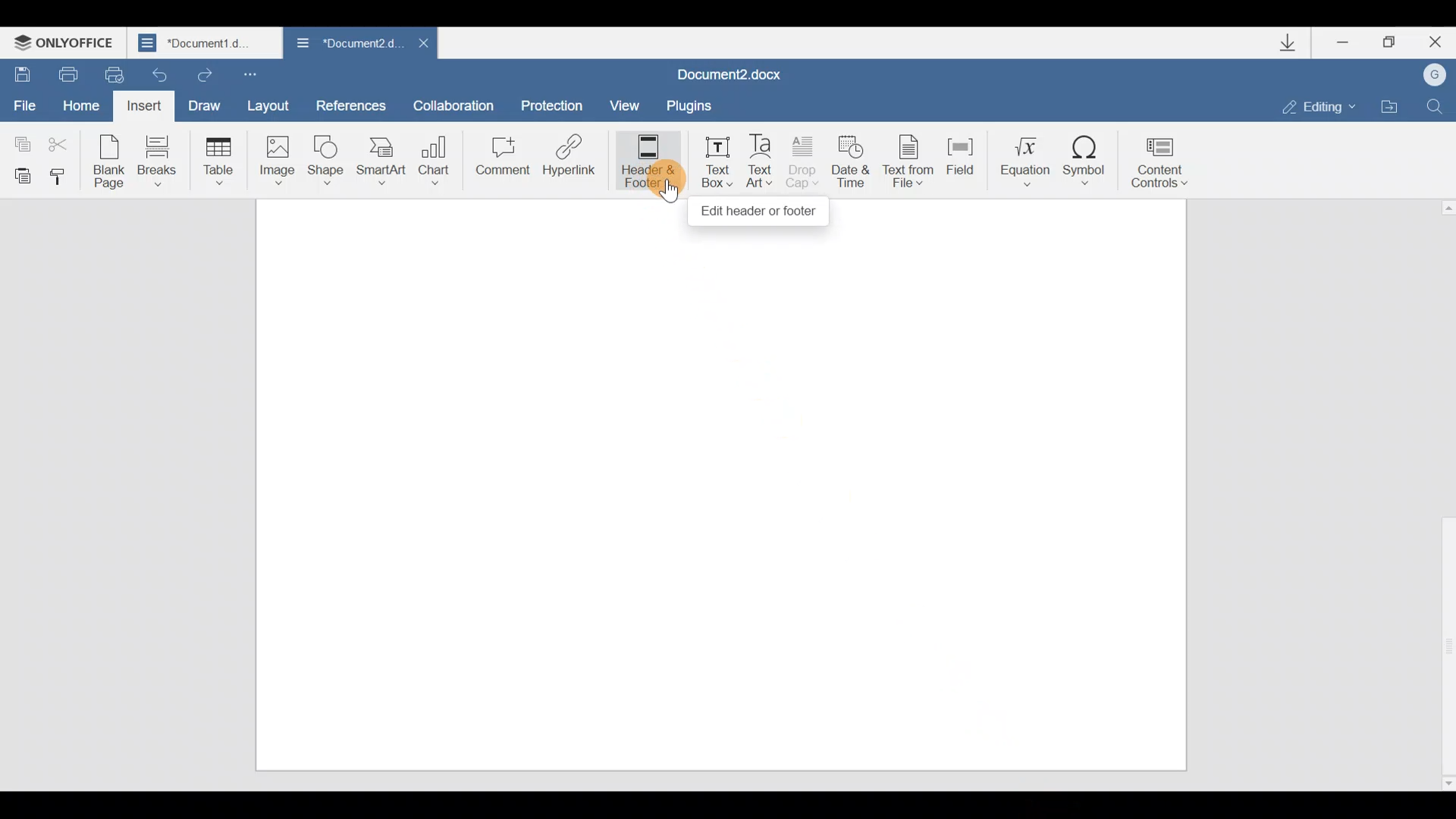 The image size is (1456, 819). I want to click on Hyperlink, so click(570, 160).